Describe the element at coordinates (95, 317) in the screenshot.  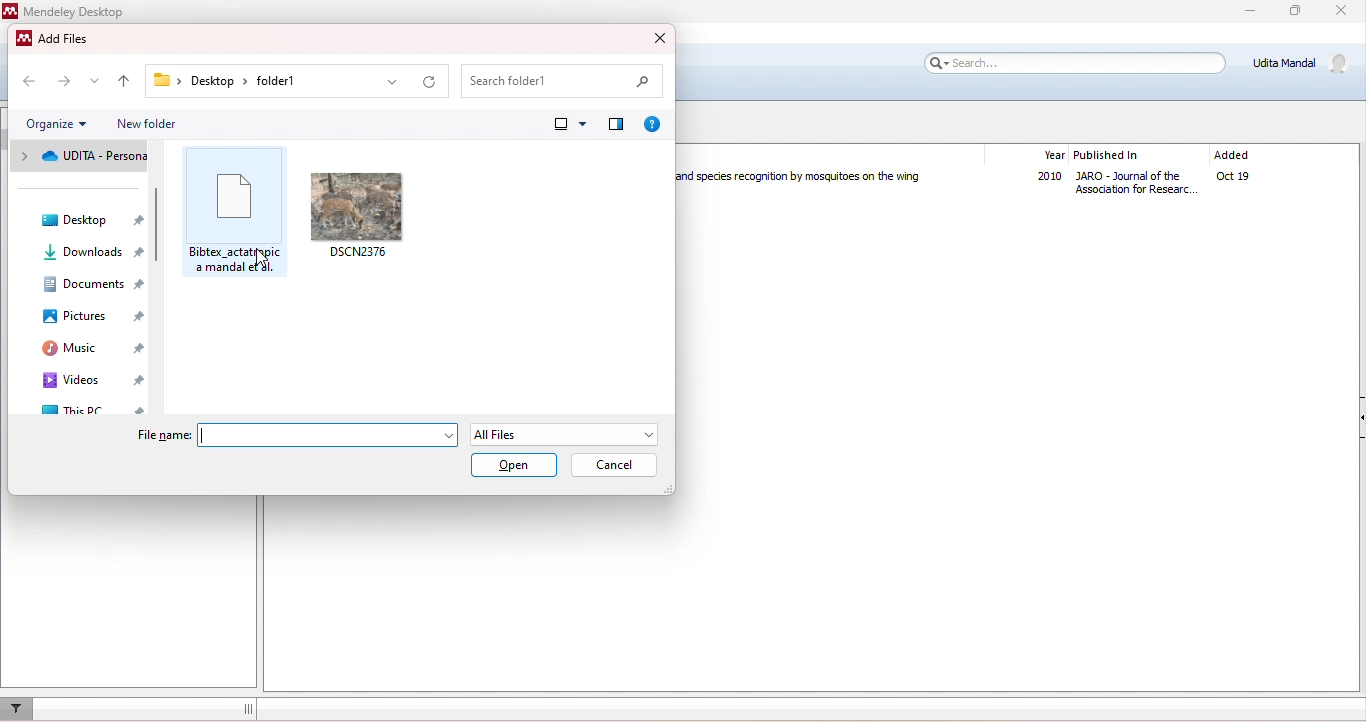
I see `pictures` at that location.